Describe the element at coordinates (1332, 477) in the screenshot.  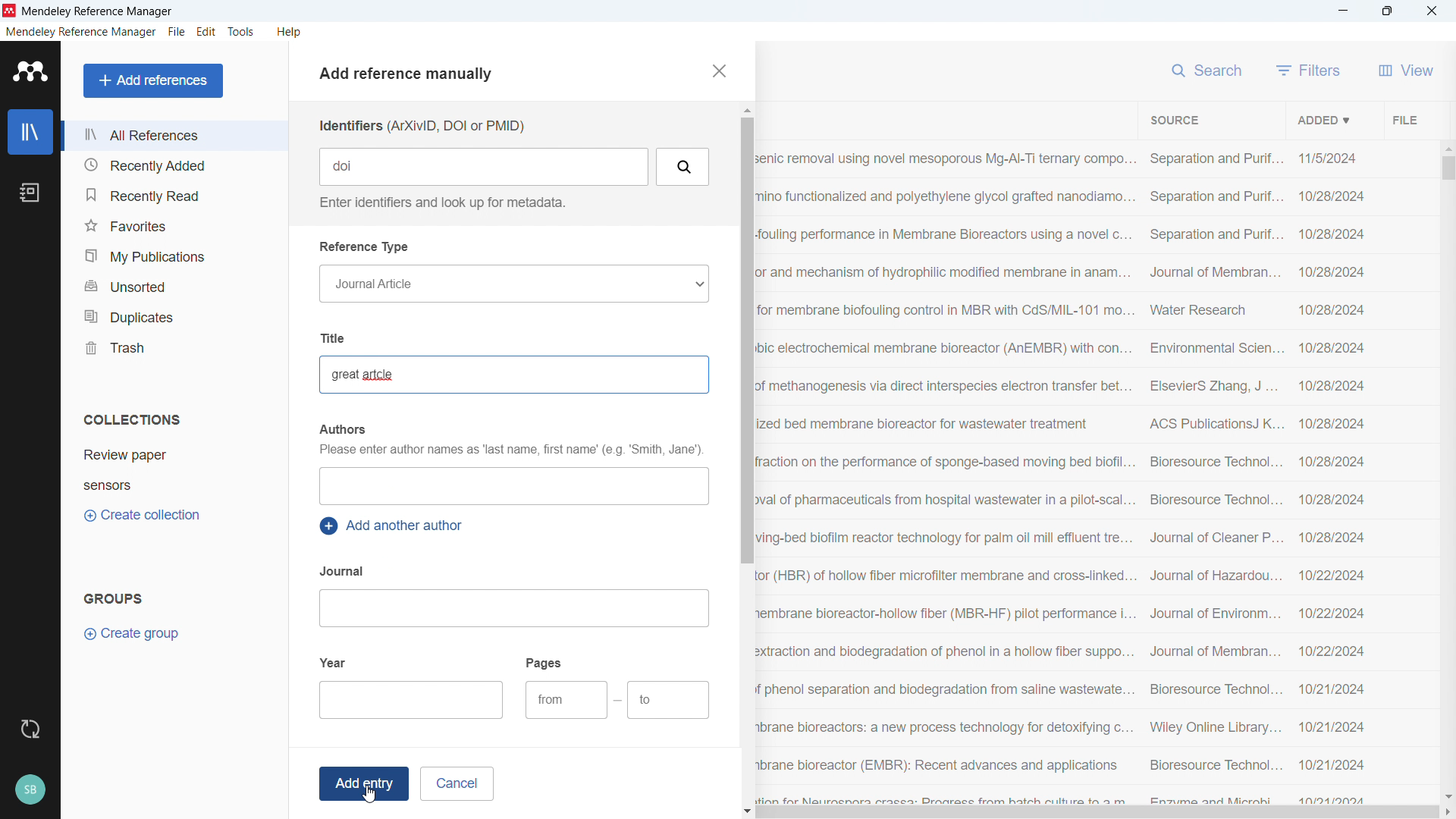
I see `Date of addition of individual entries ` at that location.